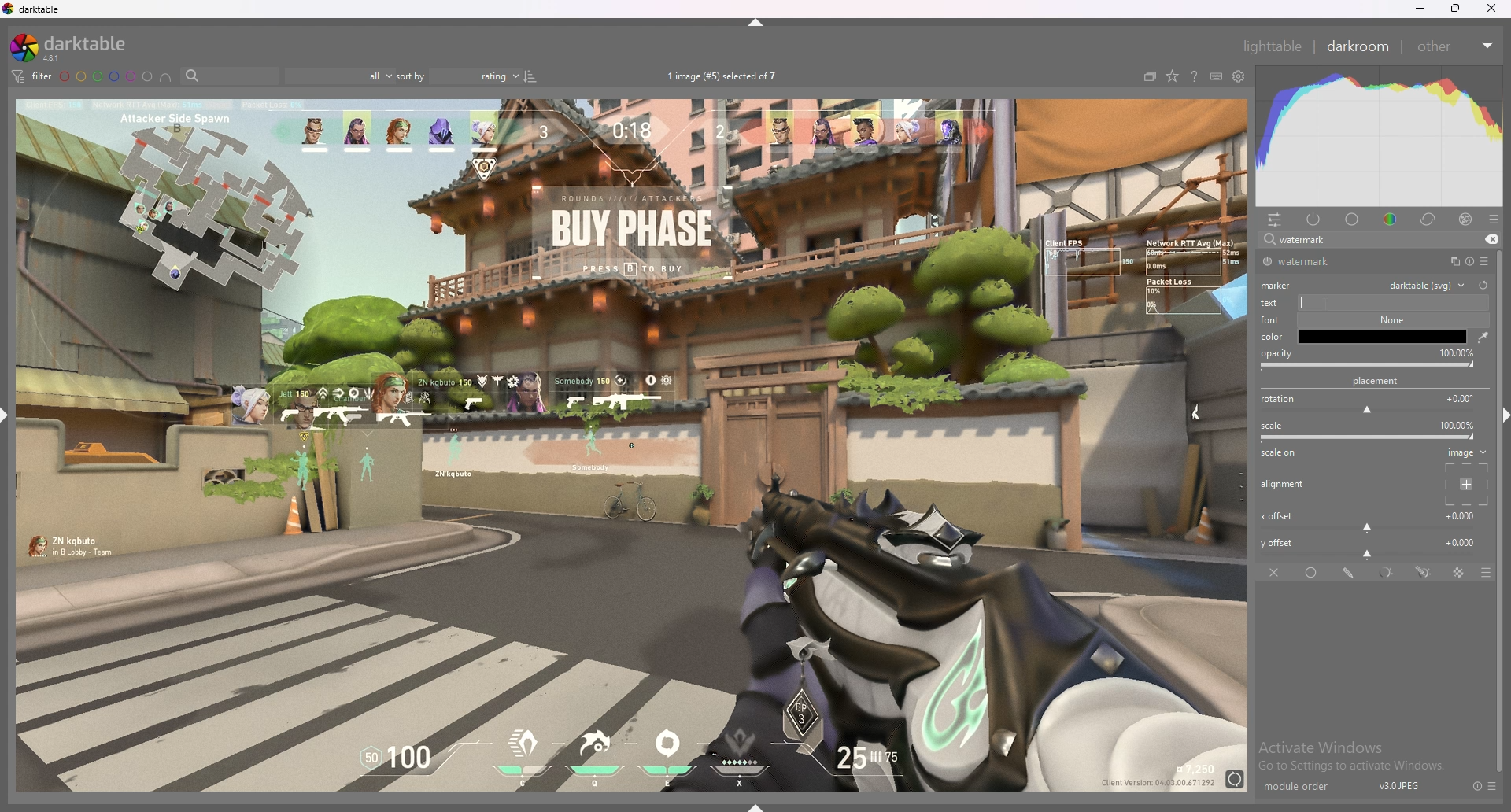 This screenshot has width=1511, height=812. Describe the element at coordinates (1498, 413) in the screenshot. I see `hide` at that location.